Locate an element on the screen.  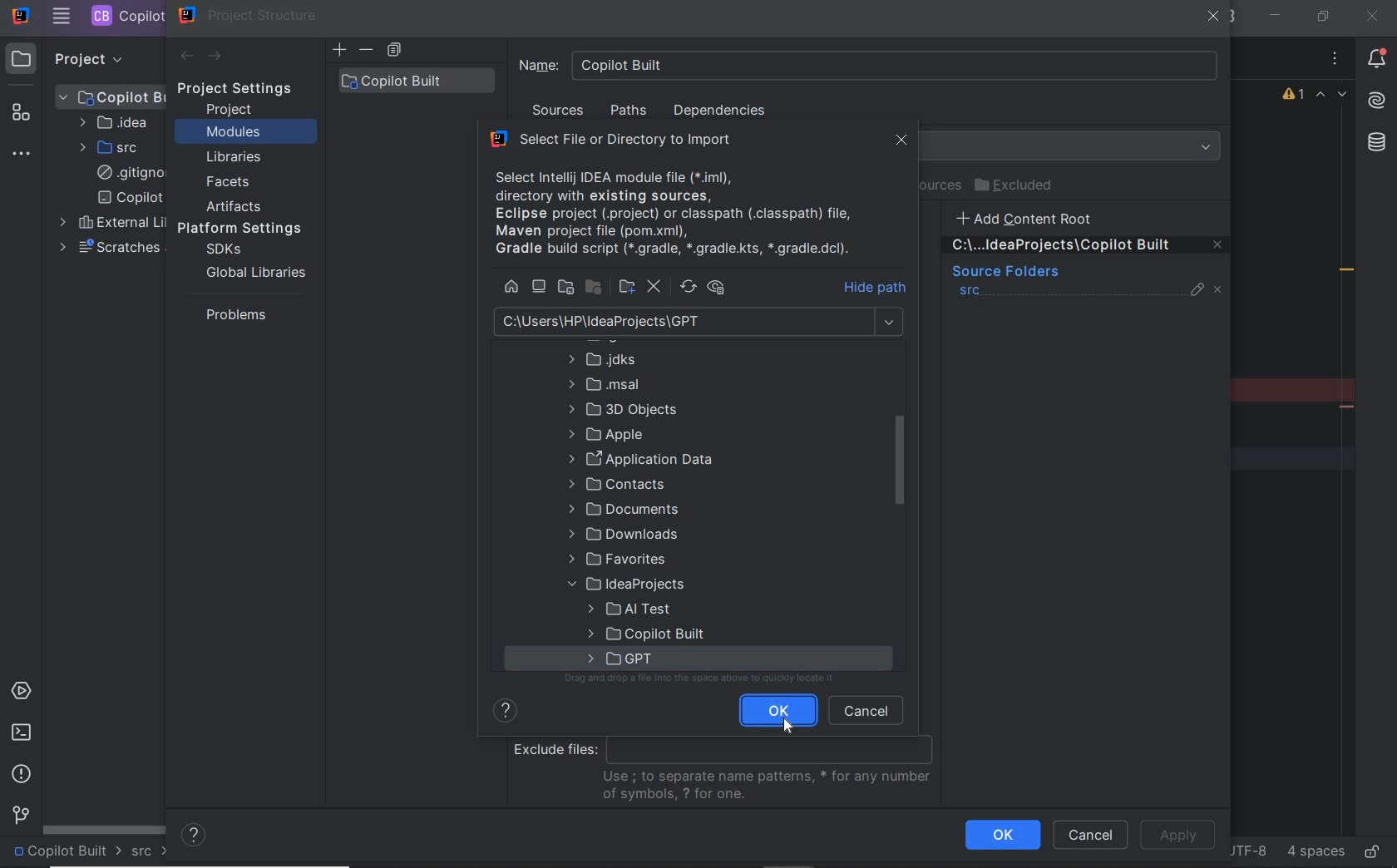
edit properties is located at coordinates (1198, 293).